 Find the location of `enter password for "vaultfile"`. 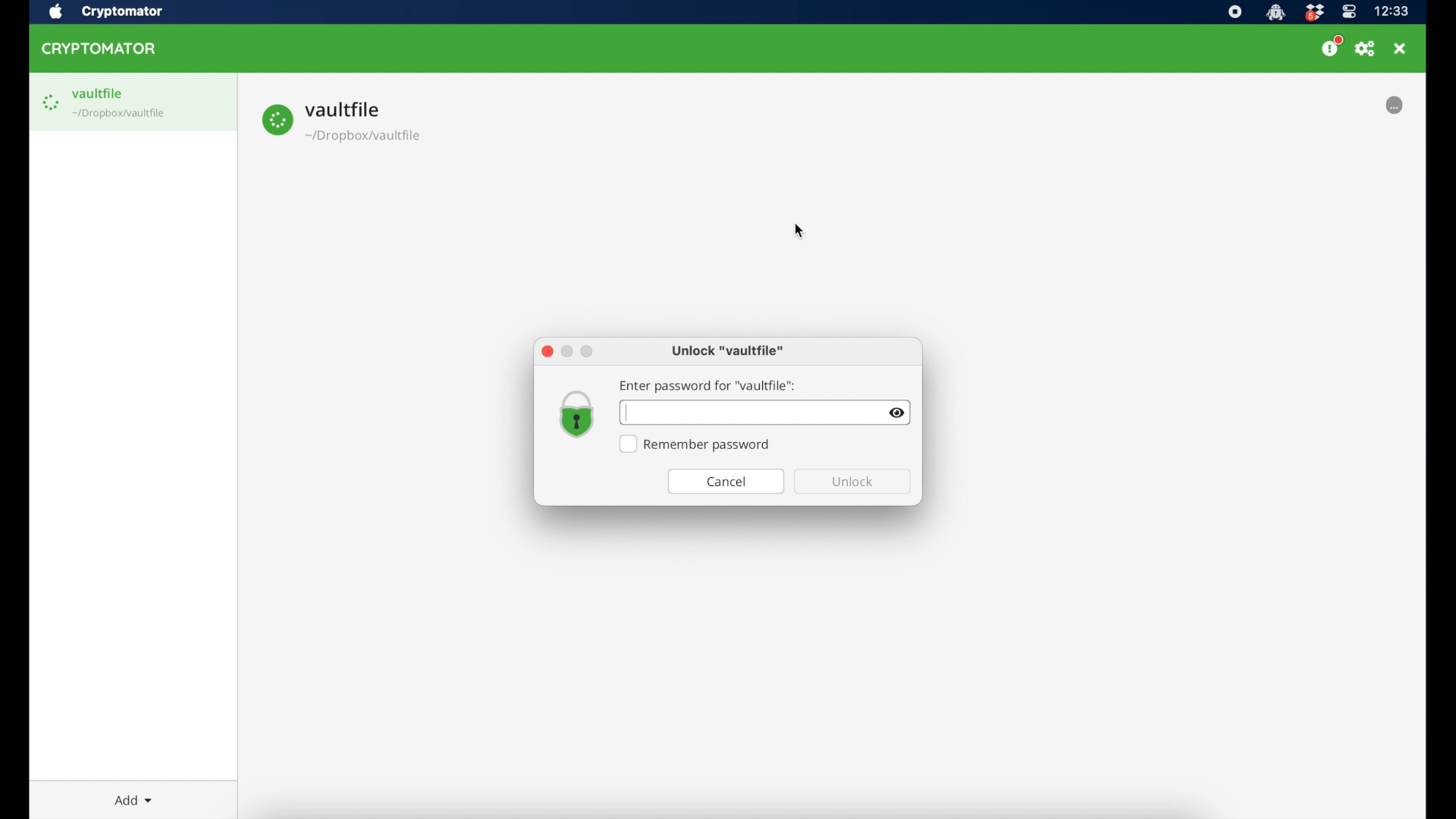

enter password for "vaultfile" is located at coordinates (705, 384).